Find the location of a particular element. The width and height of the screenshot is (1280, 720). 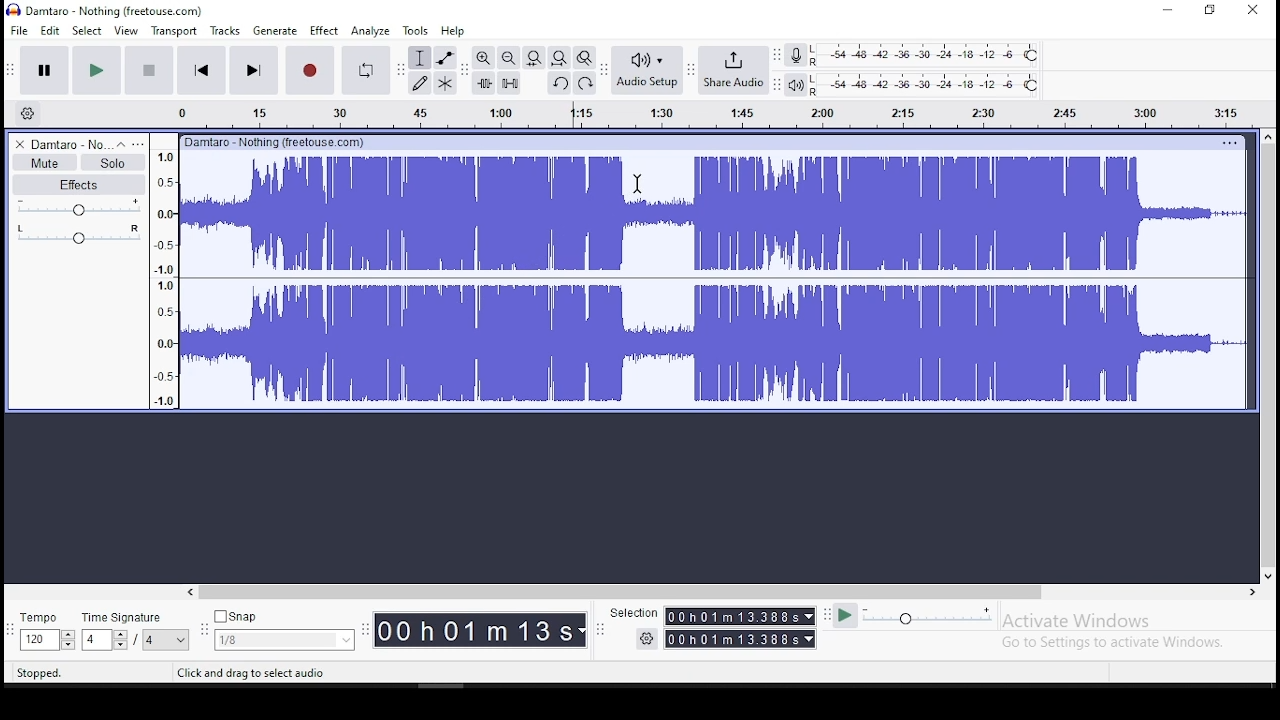

zoom toggle is located at coordinates (585, 58).